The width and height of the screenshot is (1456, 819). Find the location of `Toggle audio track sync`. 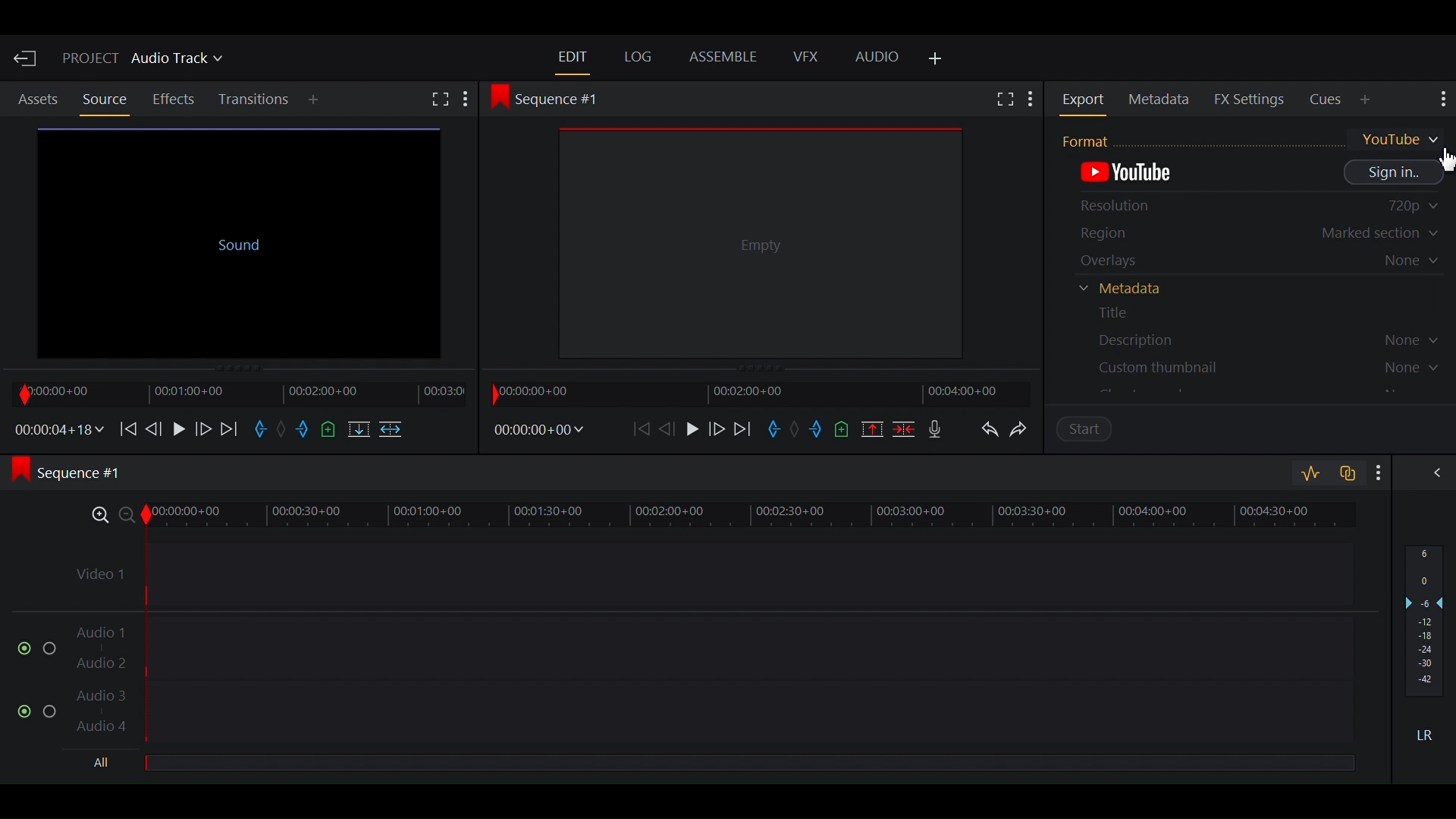

Toggle audio track sync is located at coordinates (1345, 472).